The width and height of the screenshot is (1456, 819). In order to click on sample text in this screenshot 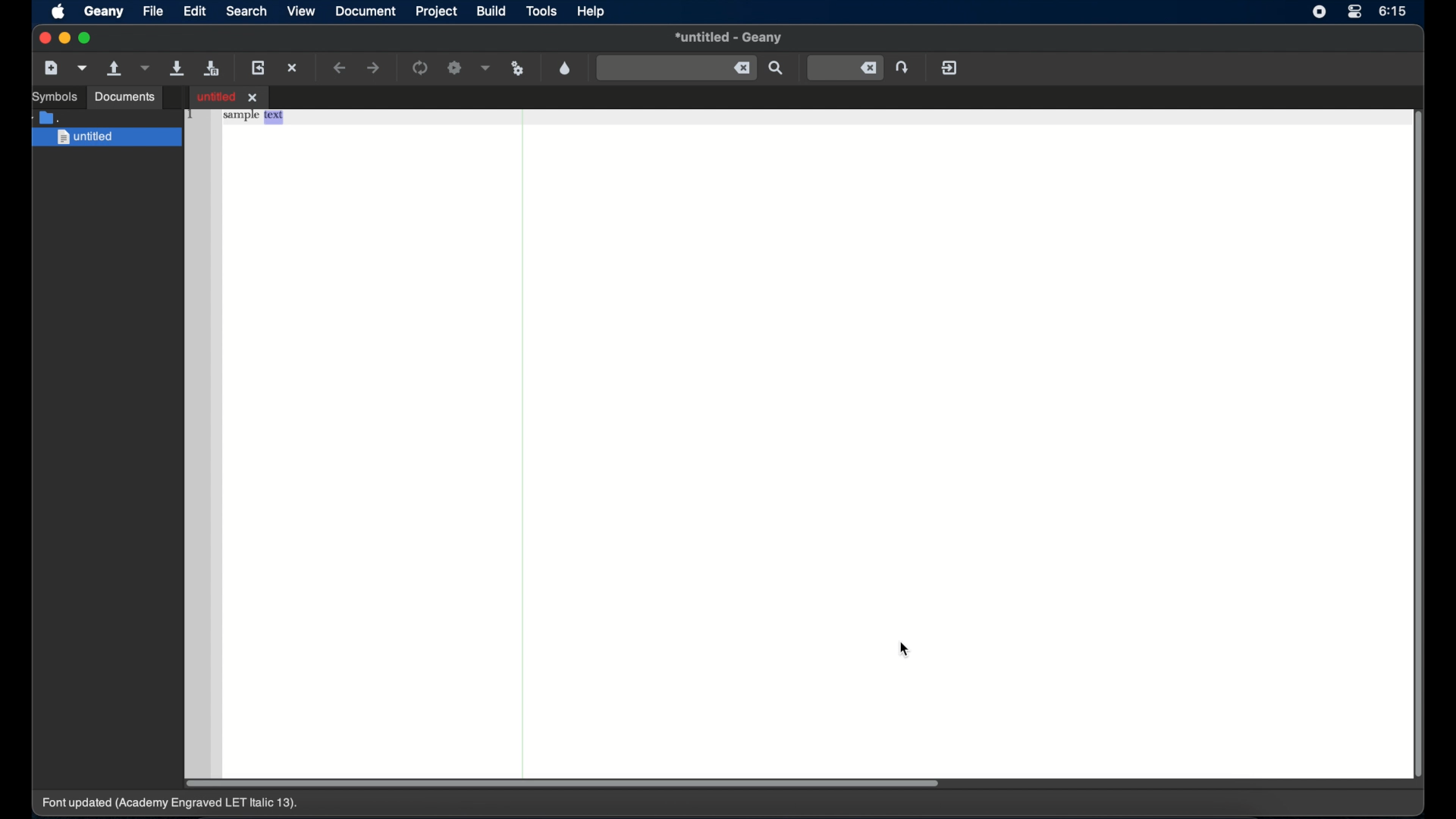, I will do `click(254, 118)`.